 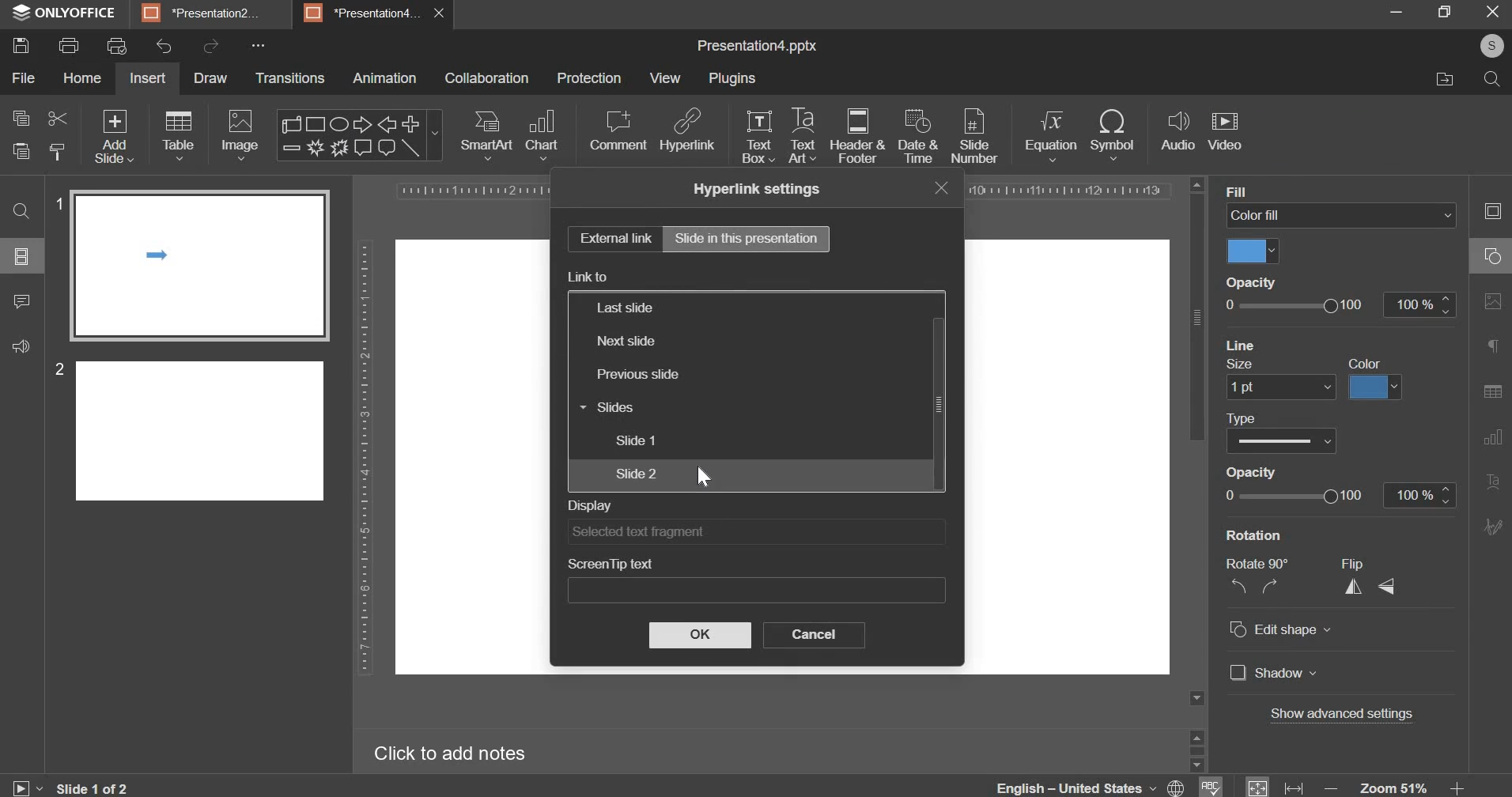 I want to click on display, so click(x=750, y=501).